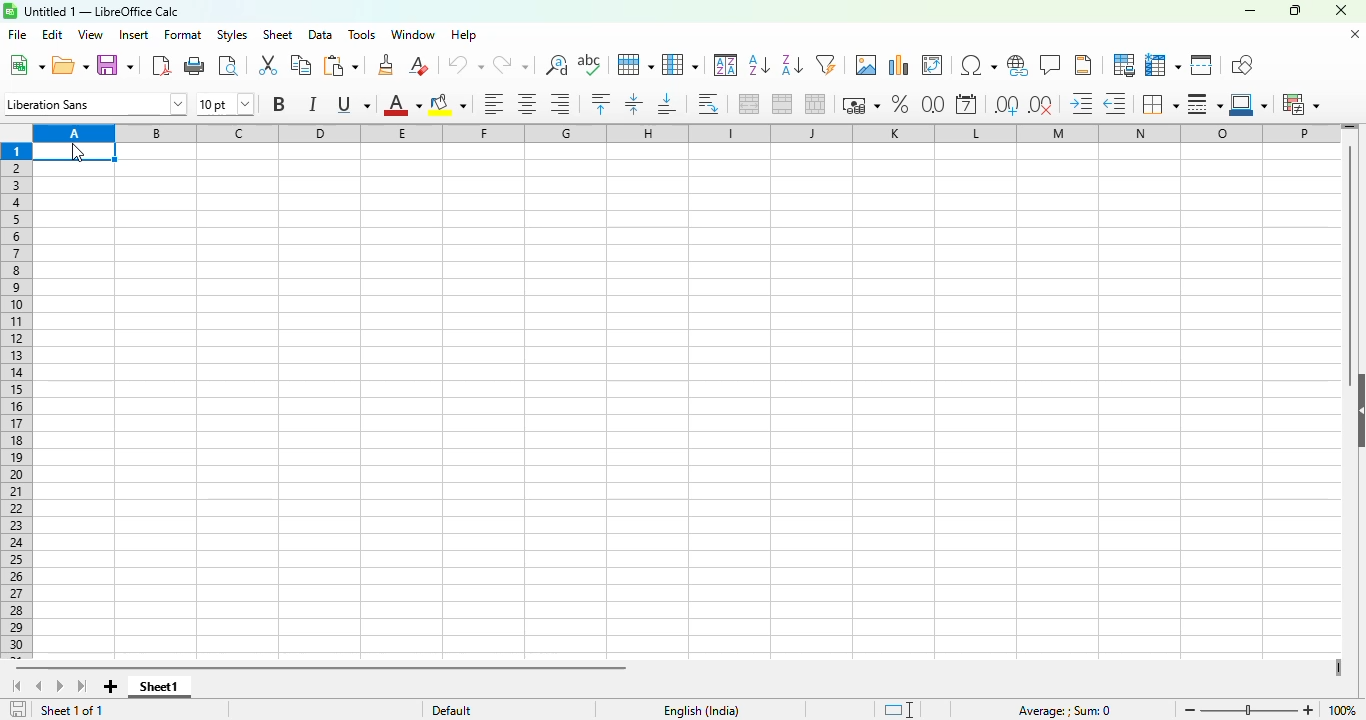 The image size is (1366, 720). What do you see at coordinates (160, 687) in the screenshot?
I see `sheet1` at bounding box center [160, 687].